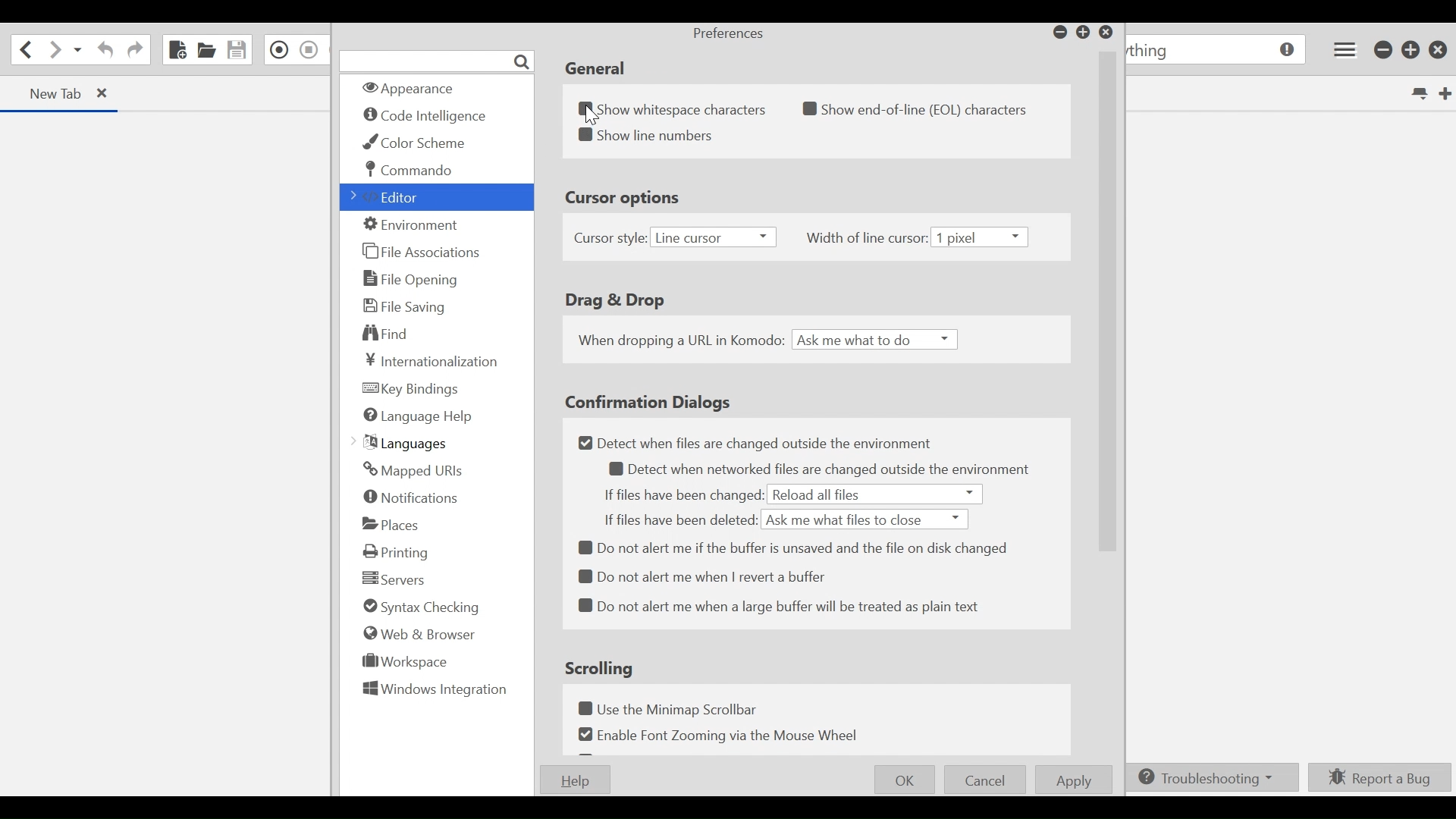 The image size is (1456, 819). I want to click on Drag & Drop, so click(617, 300).